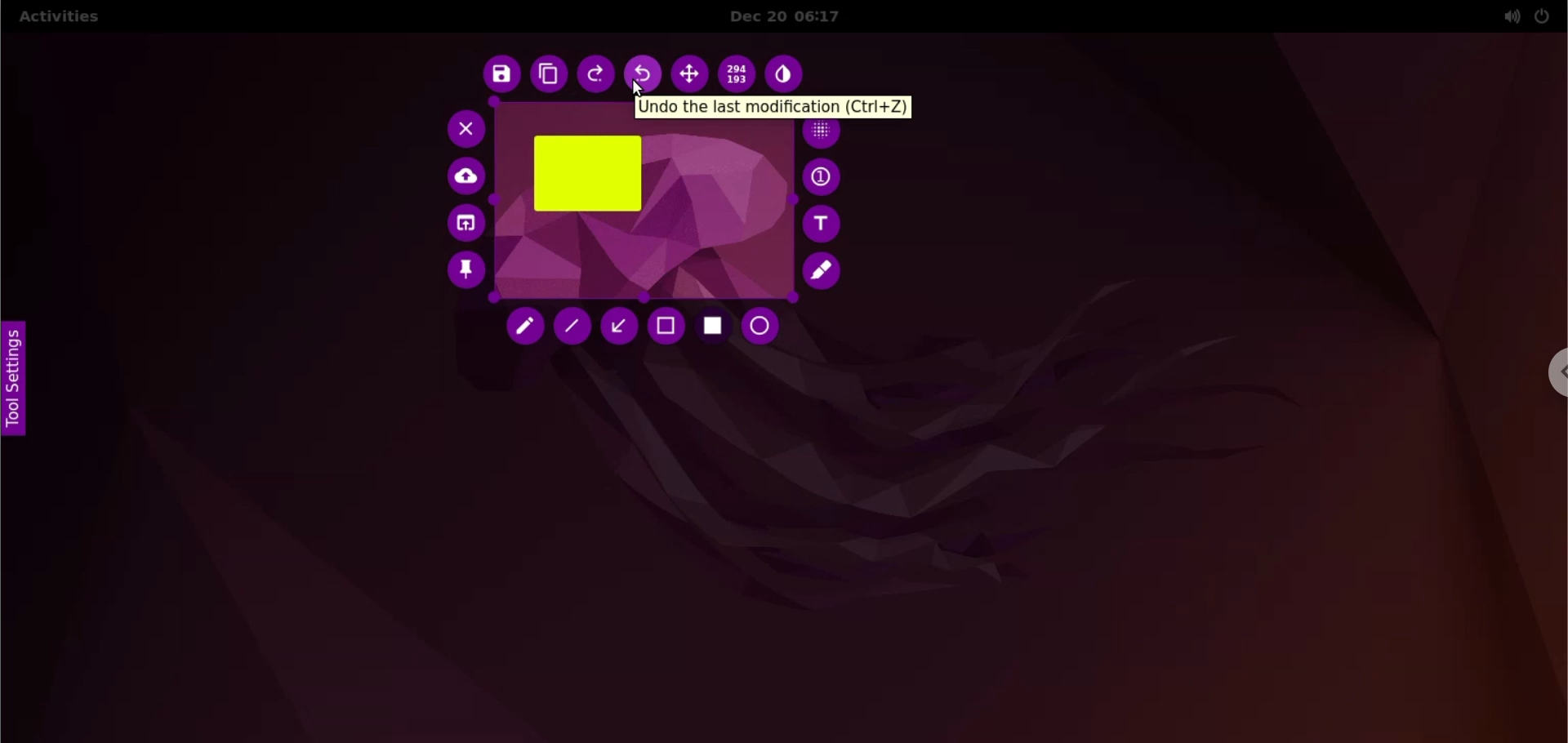  Describe the element at coordinates (765, 327) in the screenshot. I see `circle tool` at that location.